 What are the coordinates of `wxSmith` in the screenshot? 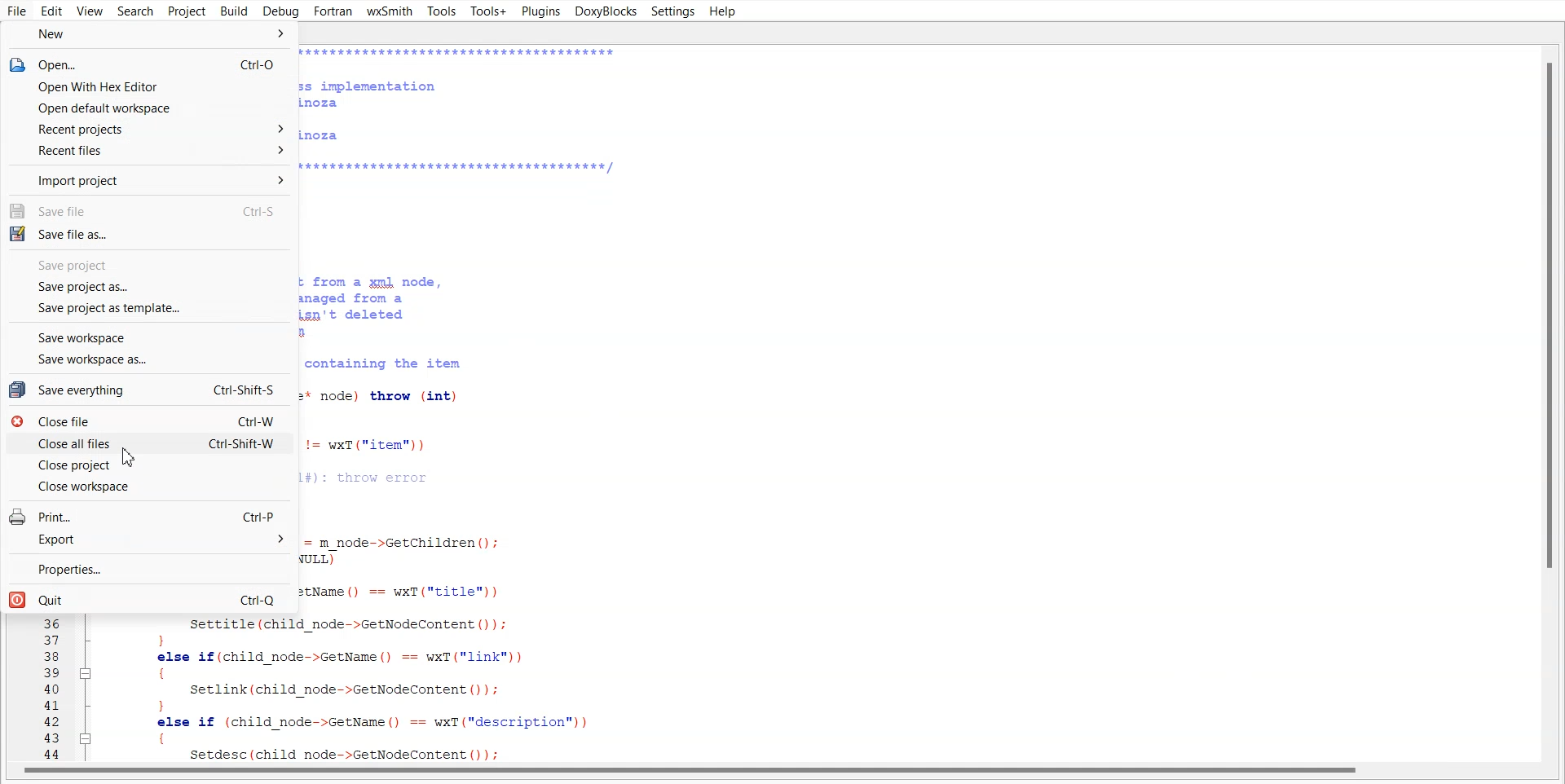 It's located at (389, 11).